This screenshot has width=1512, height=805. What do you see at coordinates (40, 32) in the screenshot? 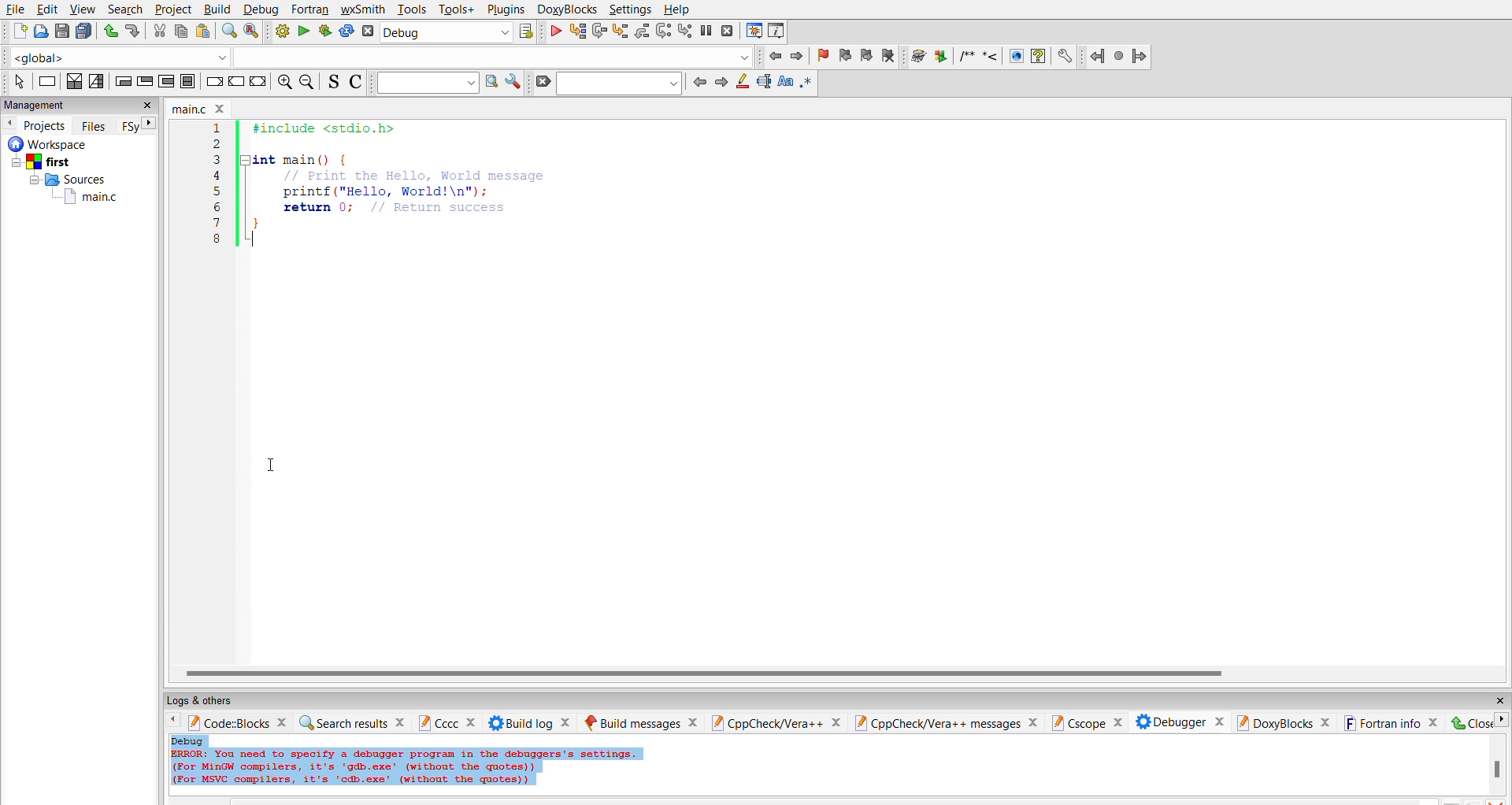
I see `open` at bounding box center [40, 32].